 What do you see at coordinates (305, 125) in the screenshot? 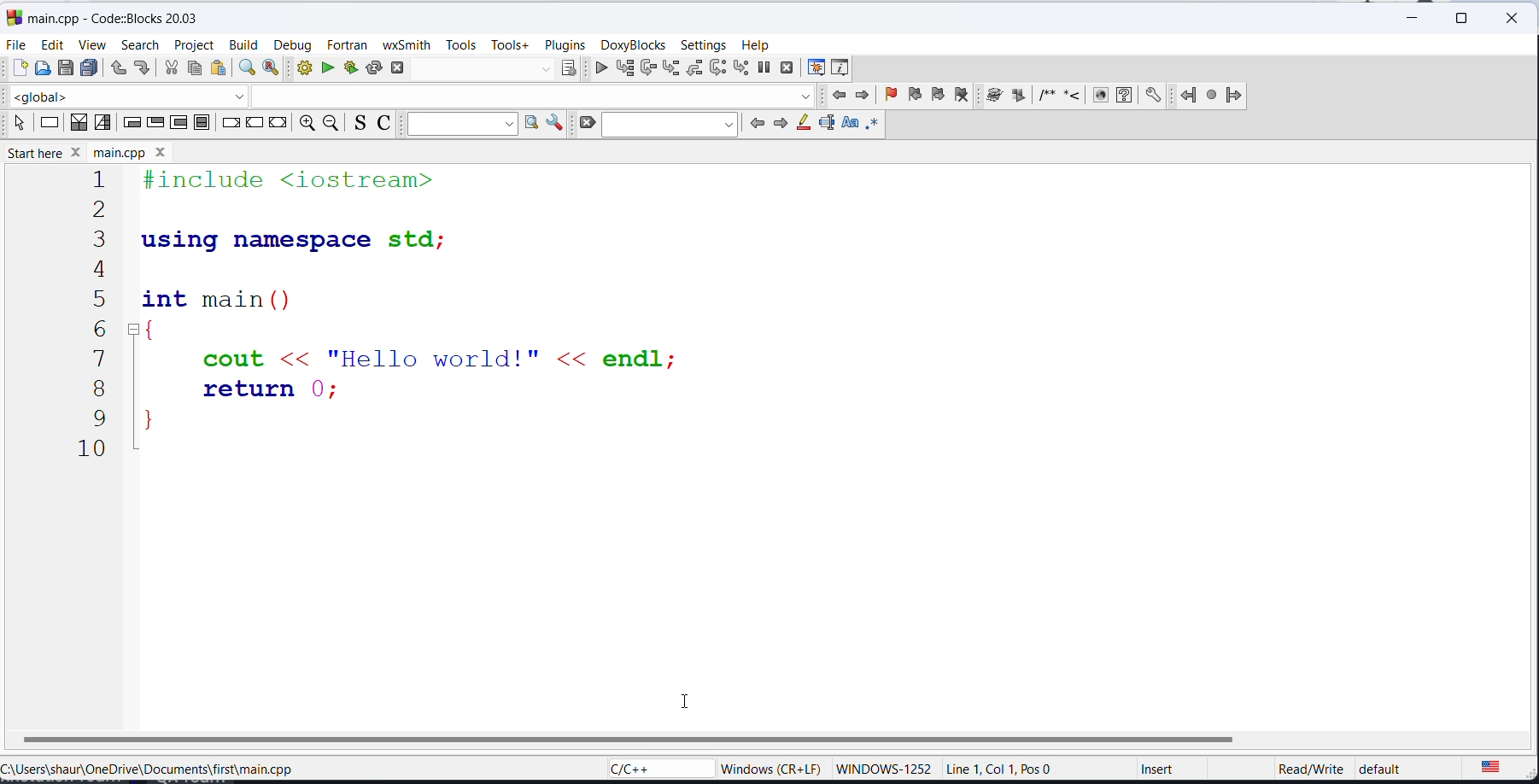
I see `zoom in` at bounding box center [305, 125].